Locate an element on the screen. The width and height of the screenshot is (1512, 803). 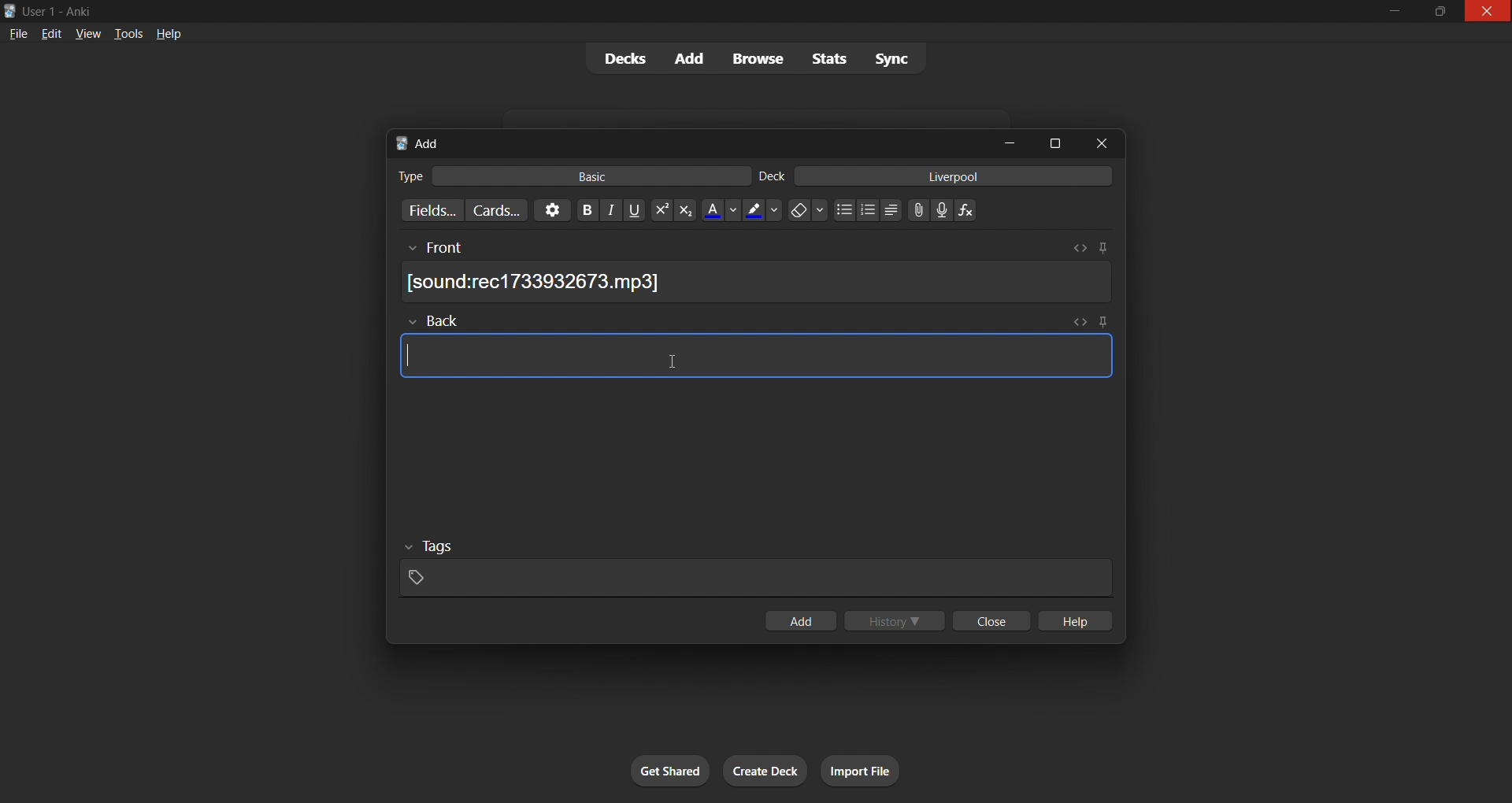
underline is located at coordinates (634, 210).